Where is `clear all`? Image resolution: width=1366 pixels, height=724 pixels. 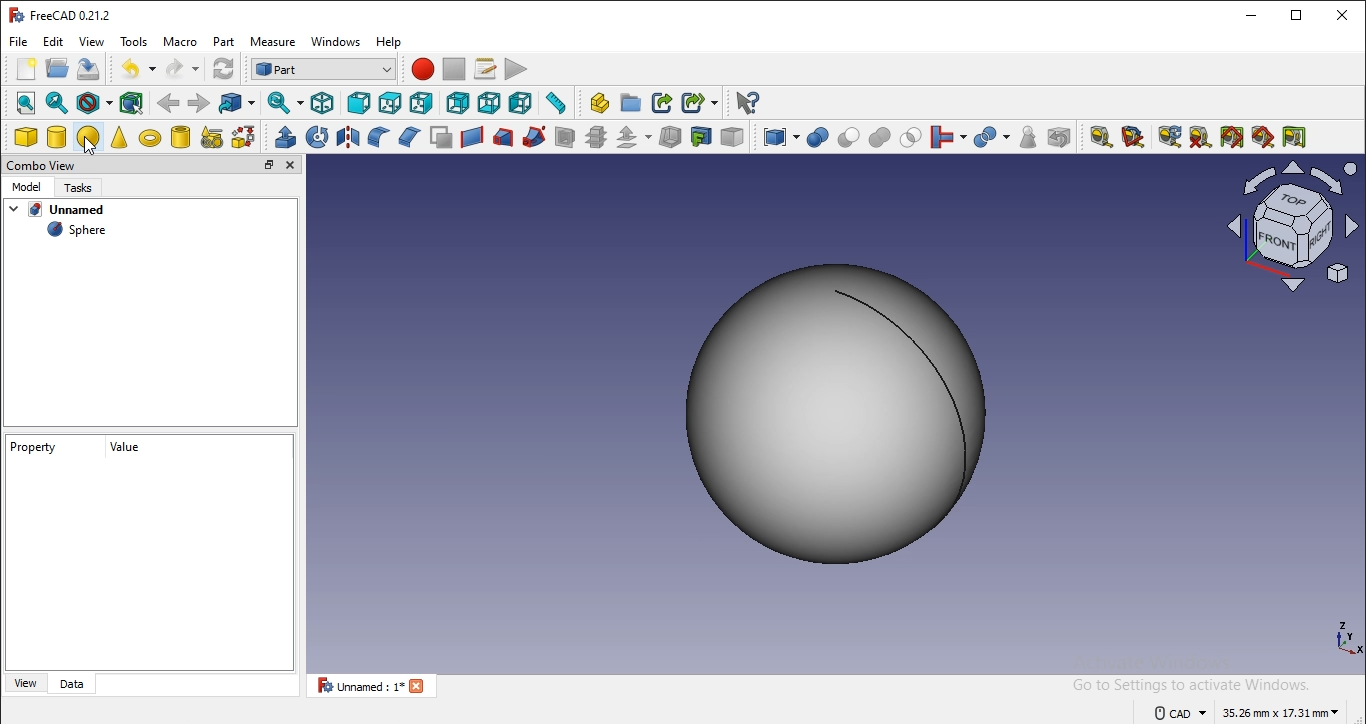
clear all is located at coordinates (1200, 137).